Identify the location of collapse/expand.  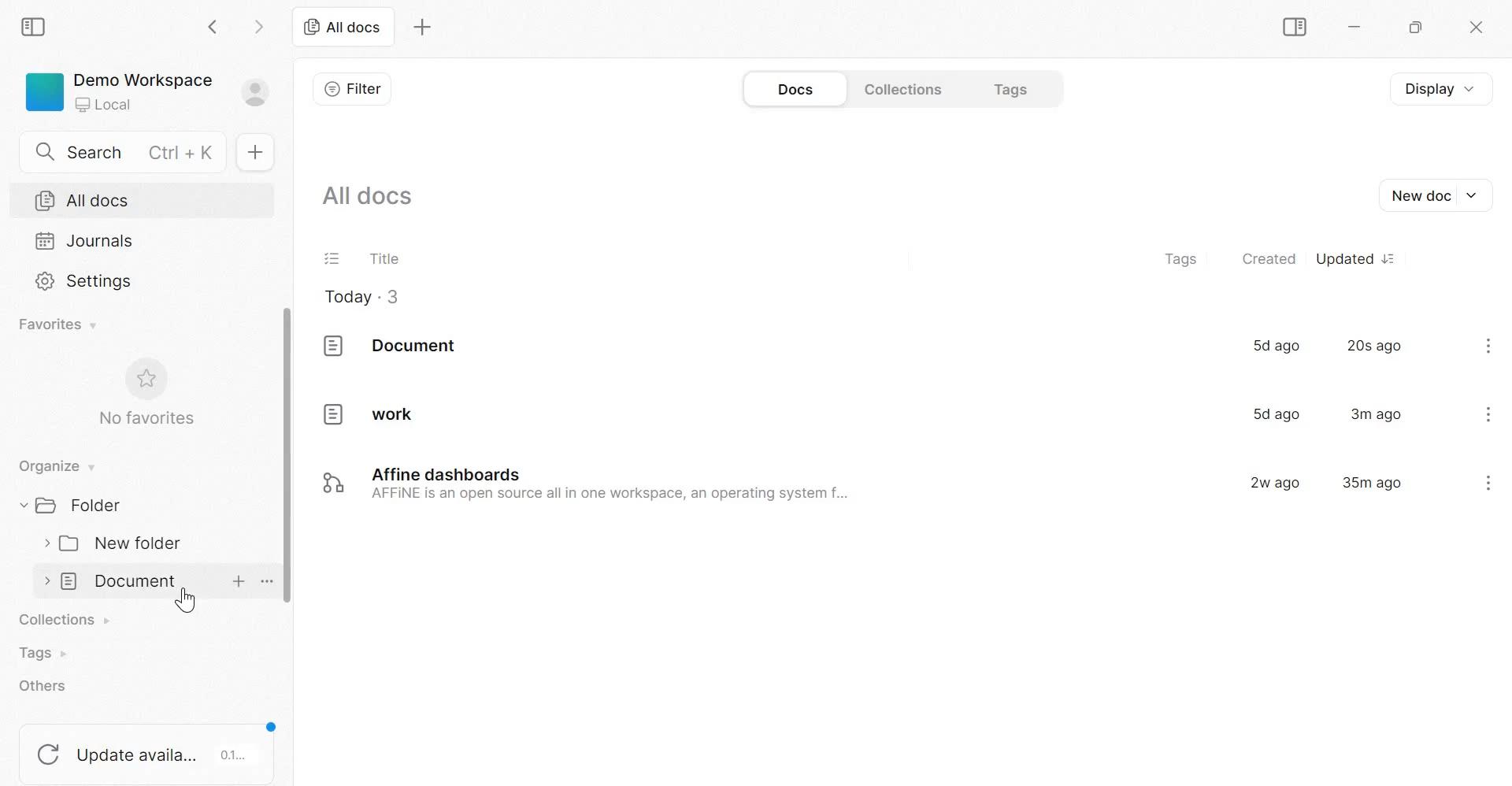
(43, 544).